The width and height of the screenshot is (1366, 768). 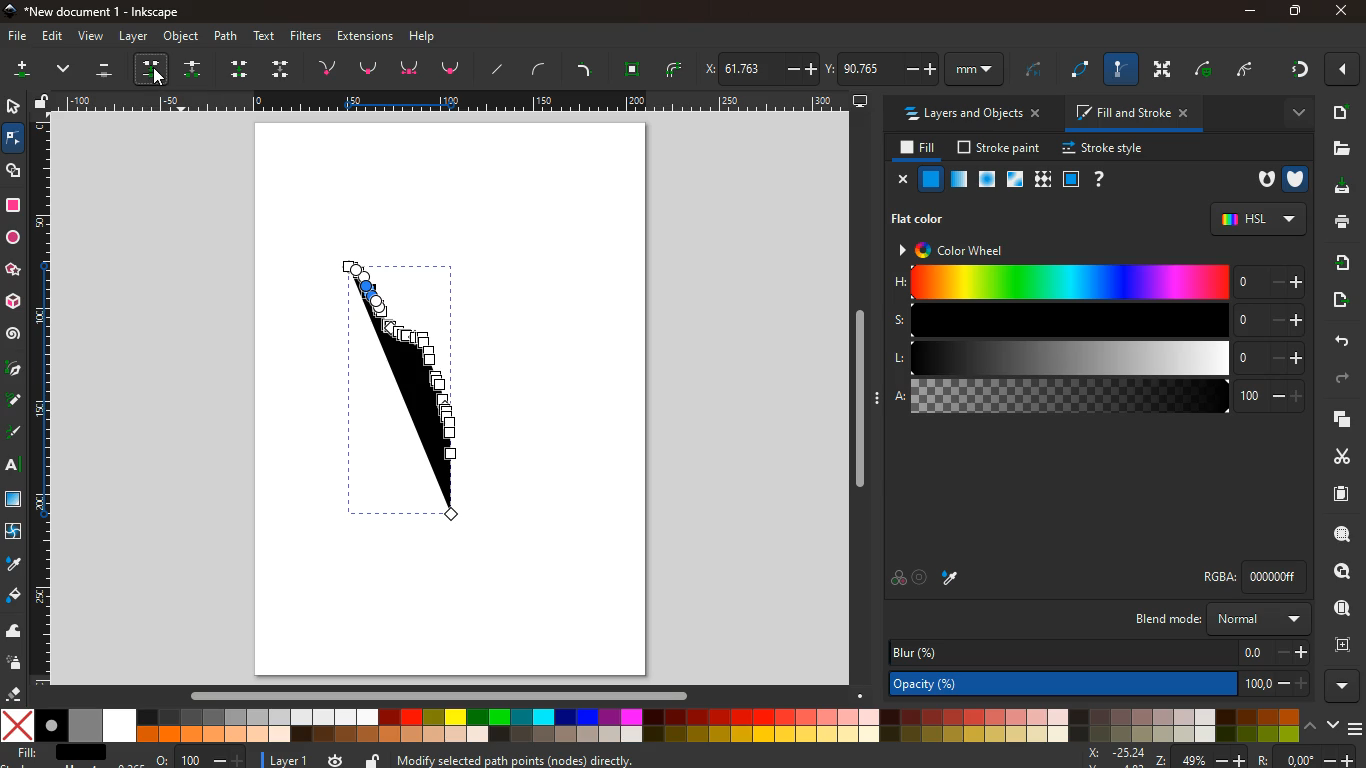 I want to click on use, so click(x=1343, y=609).